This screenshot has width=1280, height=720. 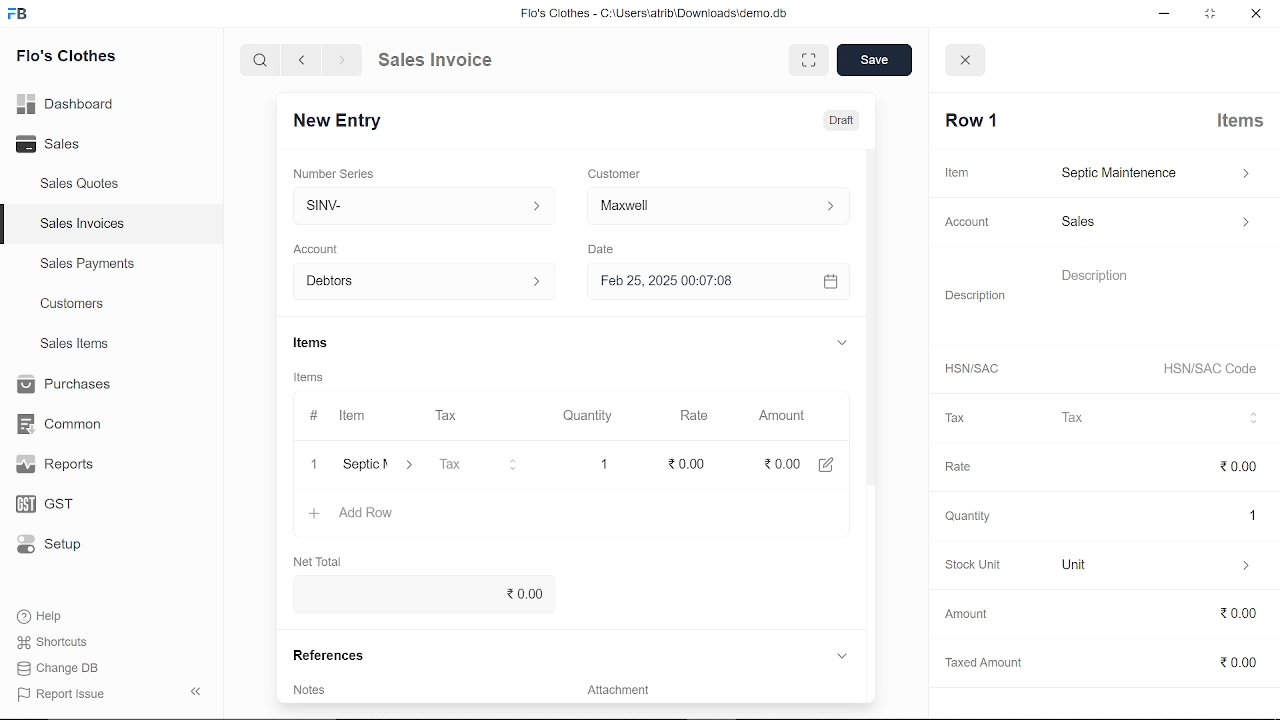 I want to click on Net Total, so click(x=323, y=559).